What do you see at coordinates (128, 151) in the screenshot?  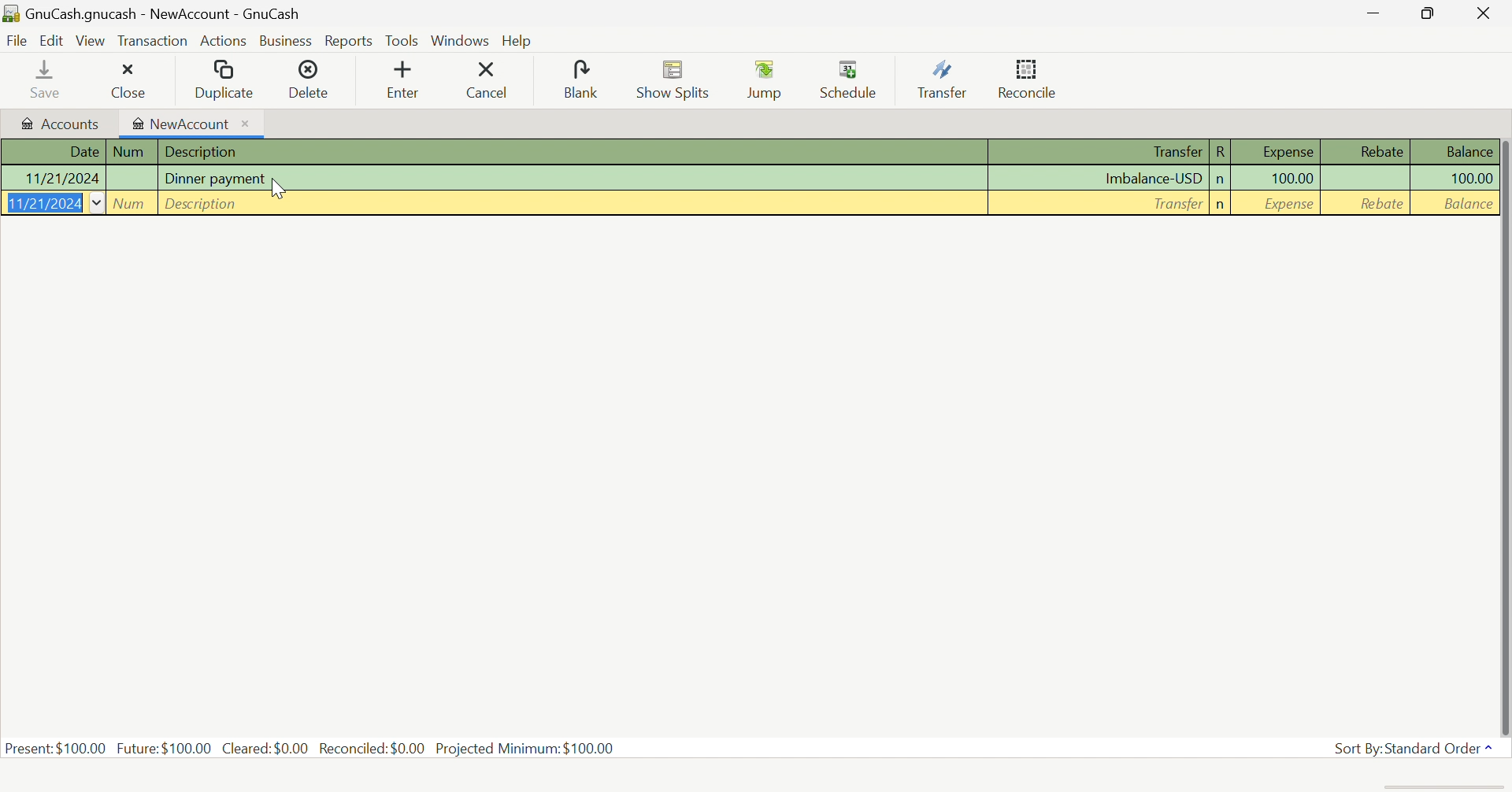 I see `Num` at bounding box center [128, 151].